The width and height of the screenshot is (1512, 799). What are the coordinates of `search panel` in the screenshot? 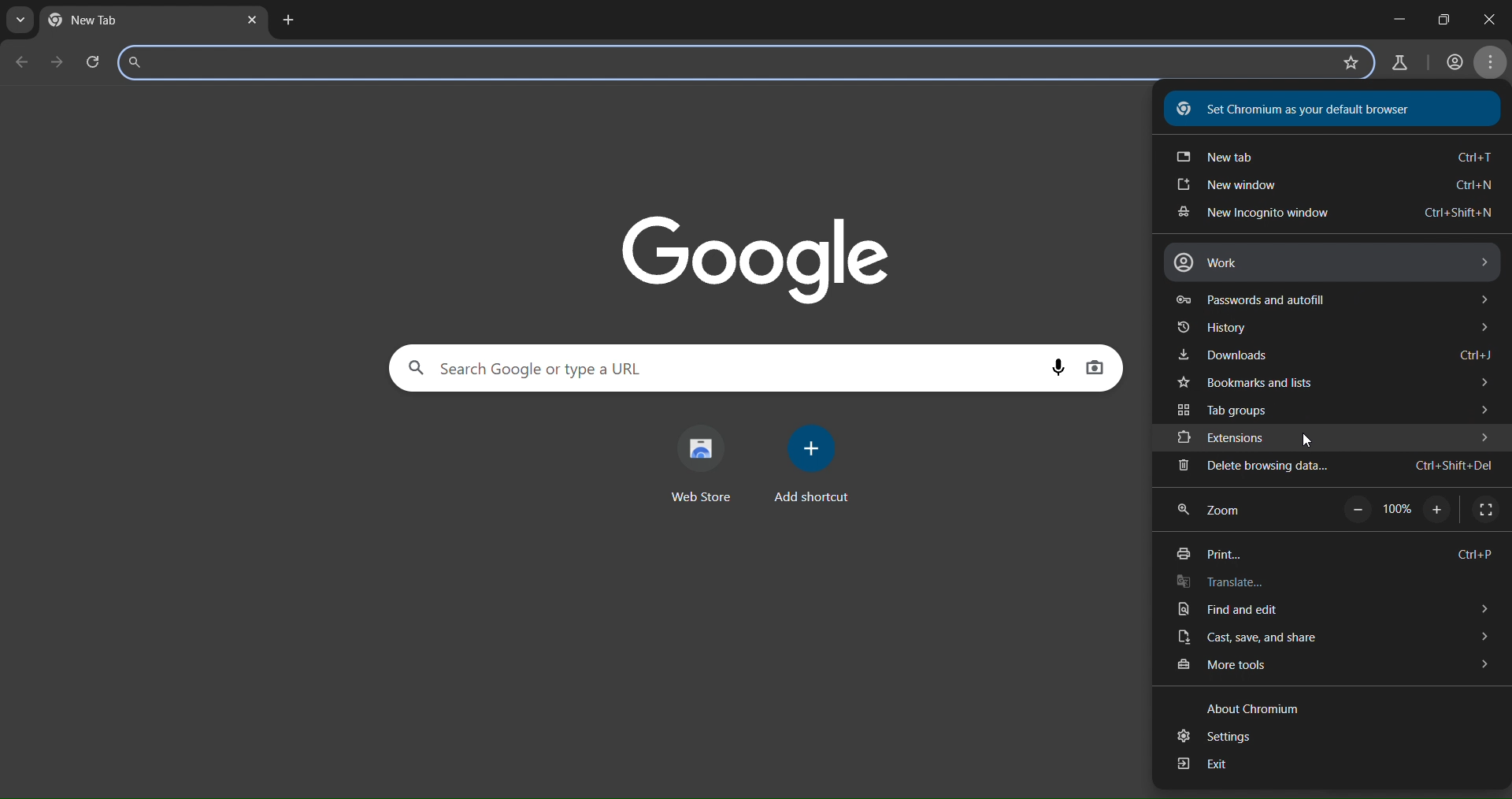 It's located at (715, 366).